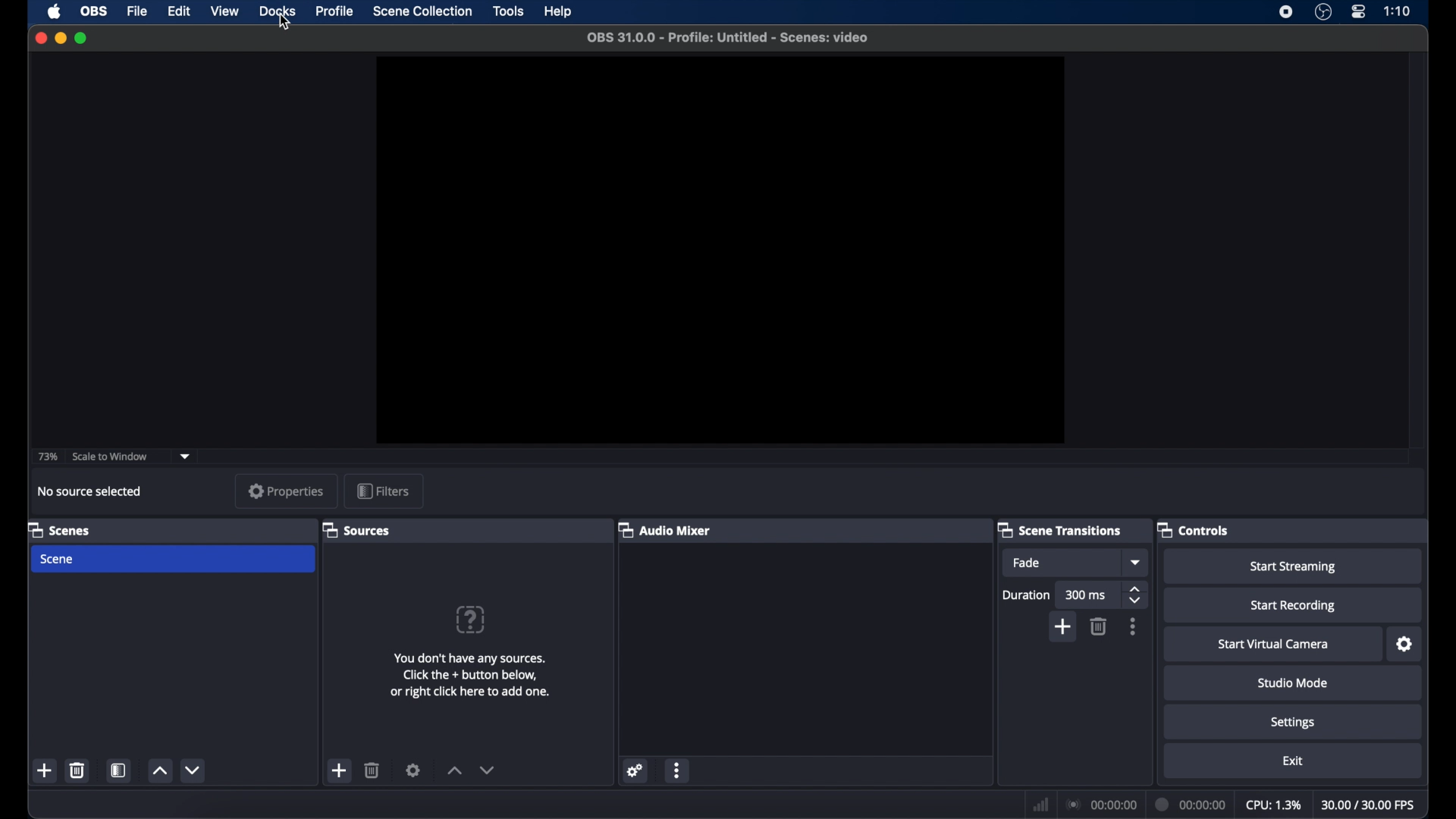 Image resolution: width=1456 pixels, height=819 pixels. I want to click on add, so click(46, 770).